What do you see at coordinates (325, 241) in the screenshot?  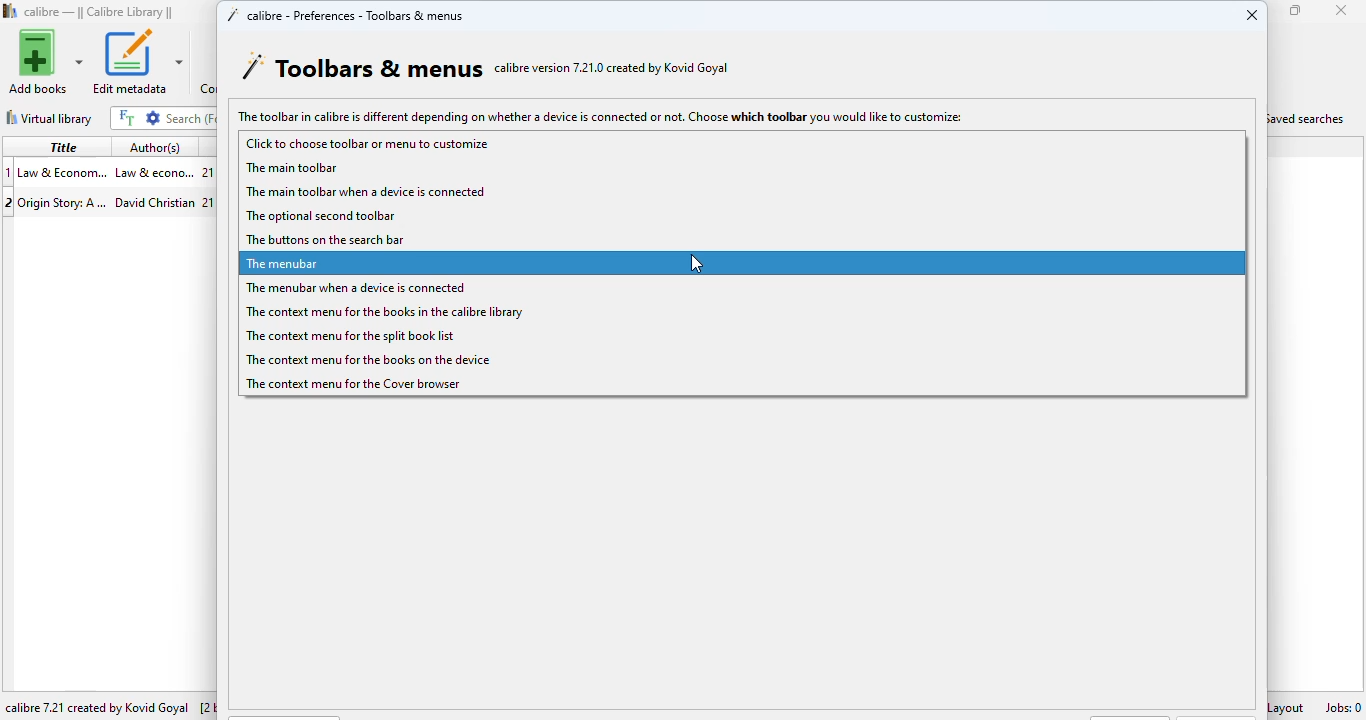 I see `the buttons on the search bar` at bounding box center [325, 241].